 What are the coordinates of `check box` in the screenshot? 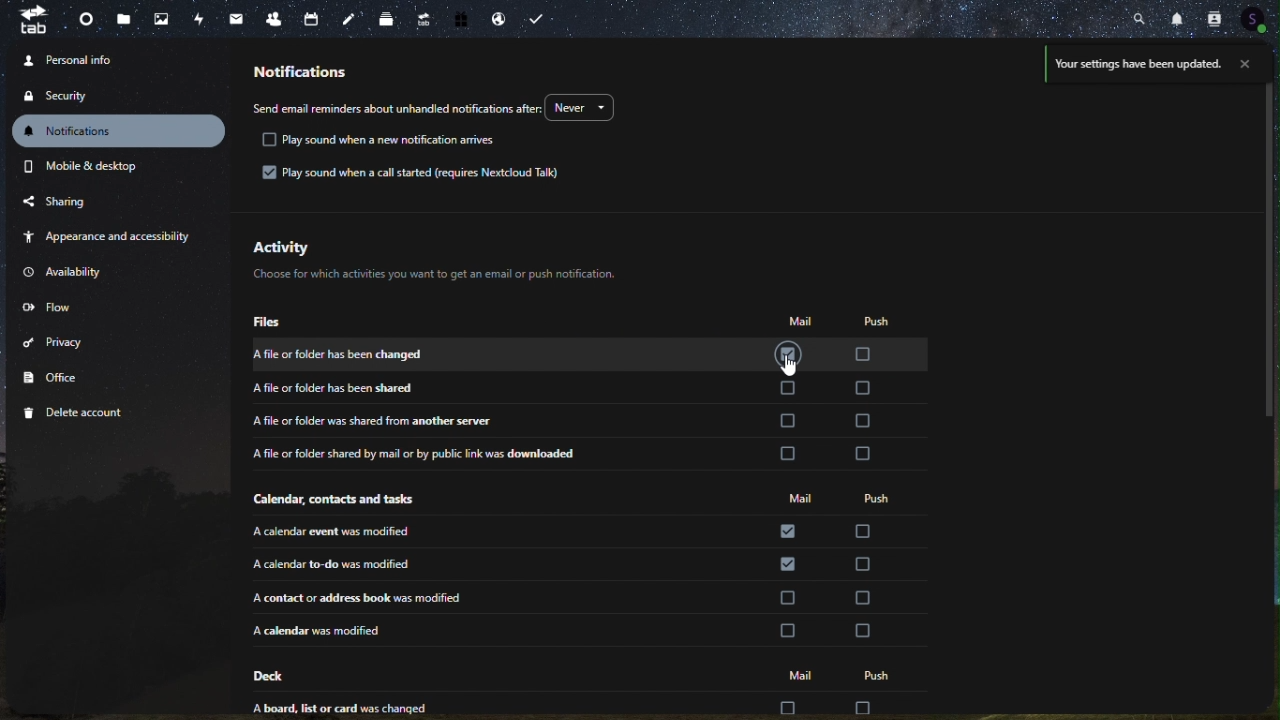 It's located at (791, 354).